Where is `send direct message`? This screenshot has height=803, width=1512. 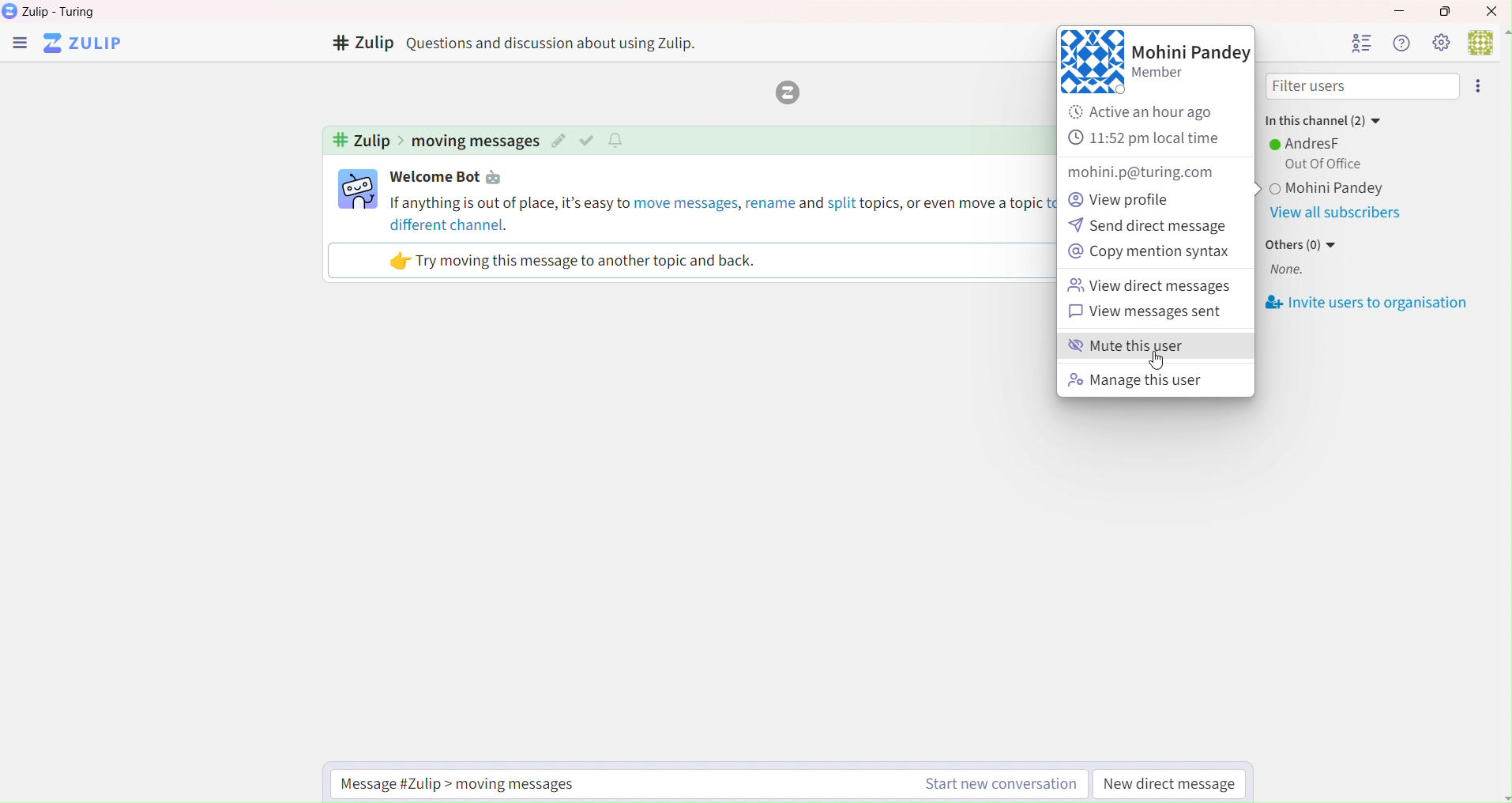 send direct message is located at coordinates (1149, 227).